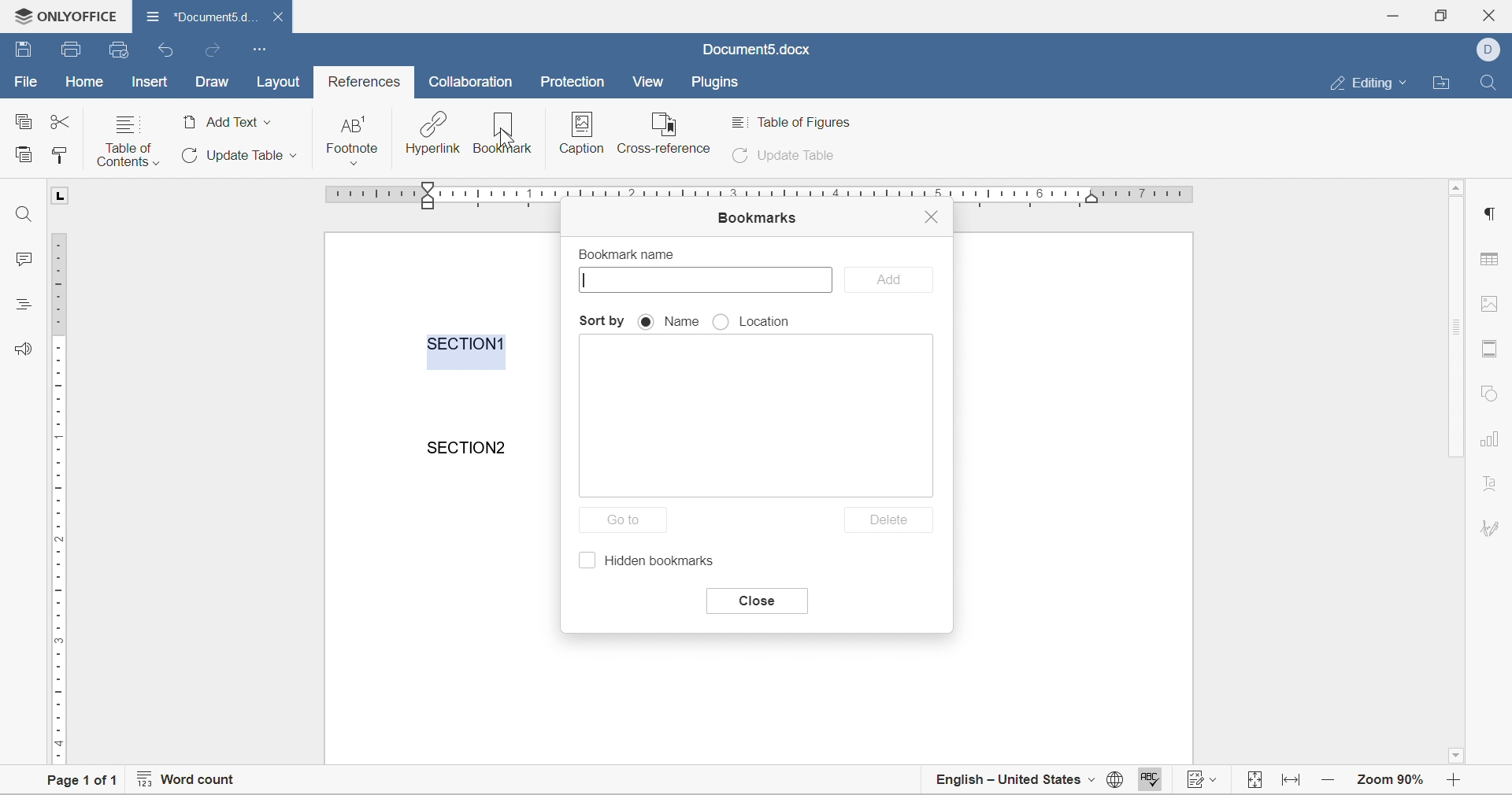 This screenshot has height=795, width=1512. I want to click on radio button, so click(722, 323).